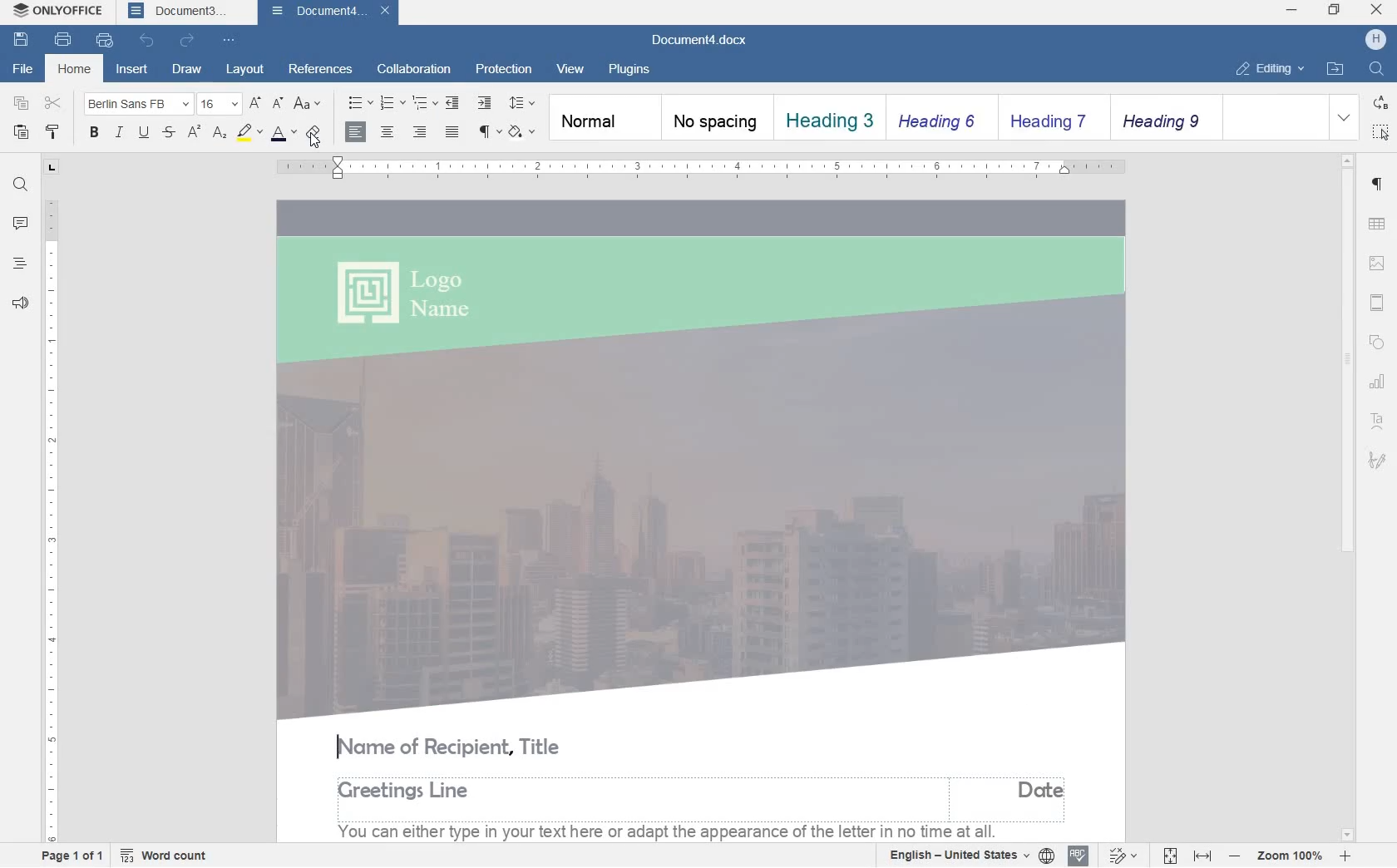  What do you see at coordinates (186, 40) in the screenshot?
I see `redo` at bounding box center [186, 40].